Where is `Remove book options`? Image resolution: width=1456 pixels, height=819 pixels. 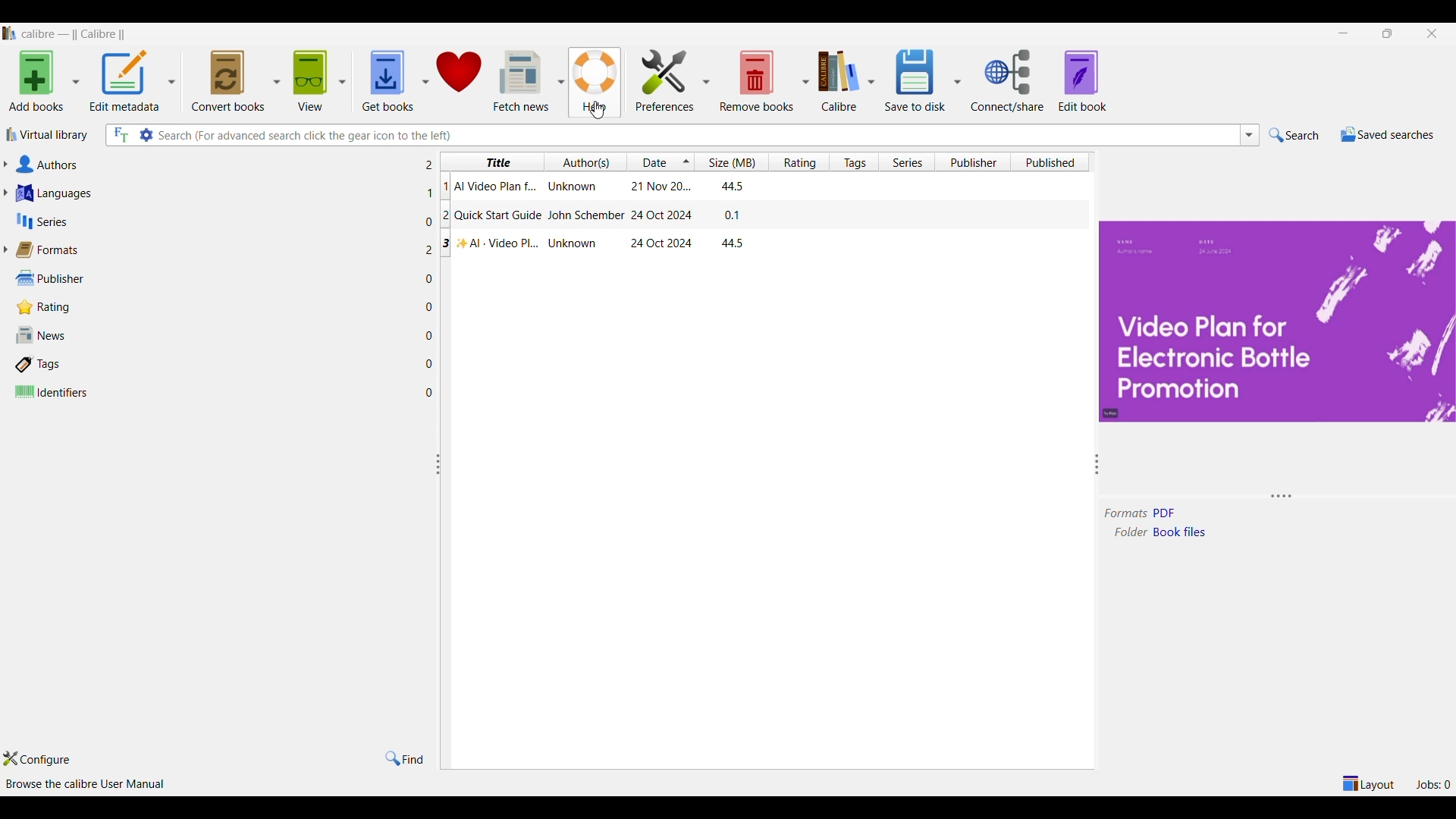
Remove book options is located at coordinates (805, 81).